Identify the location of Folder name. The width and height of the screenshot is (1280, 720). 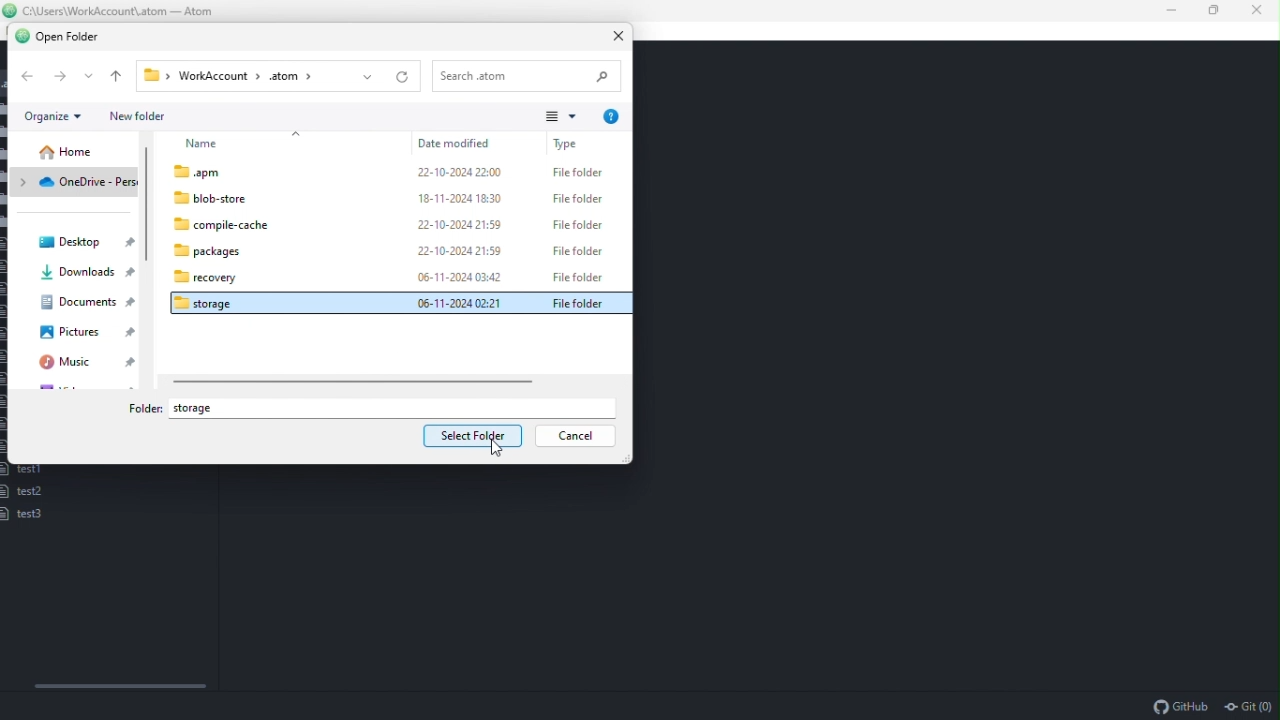
(198, 409).